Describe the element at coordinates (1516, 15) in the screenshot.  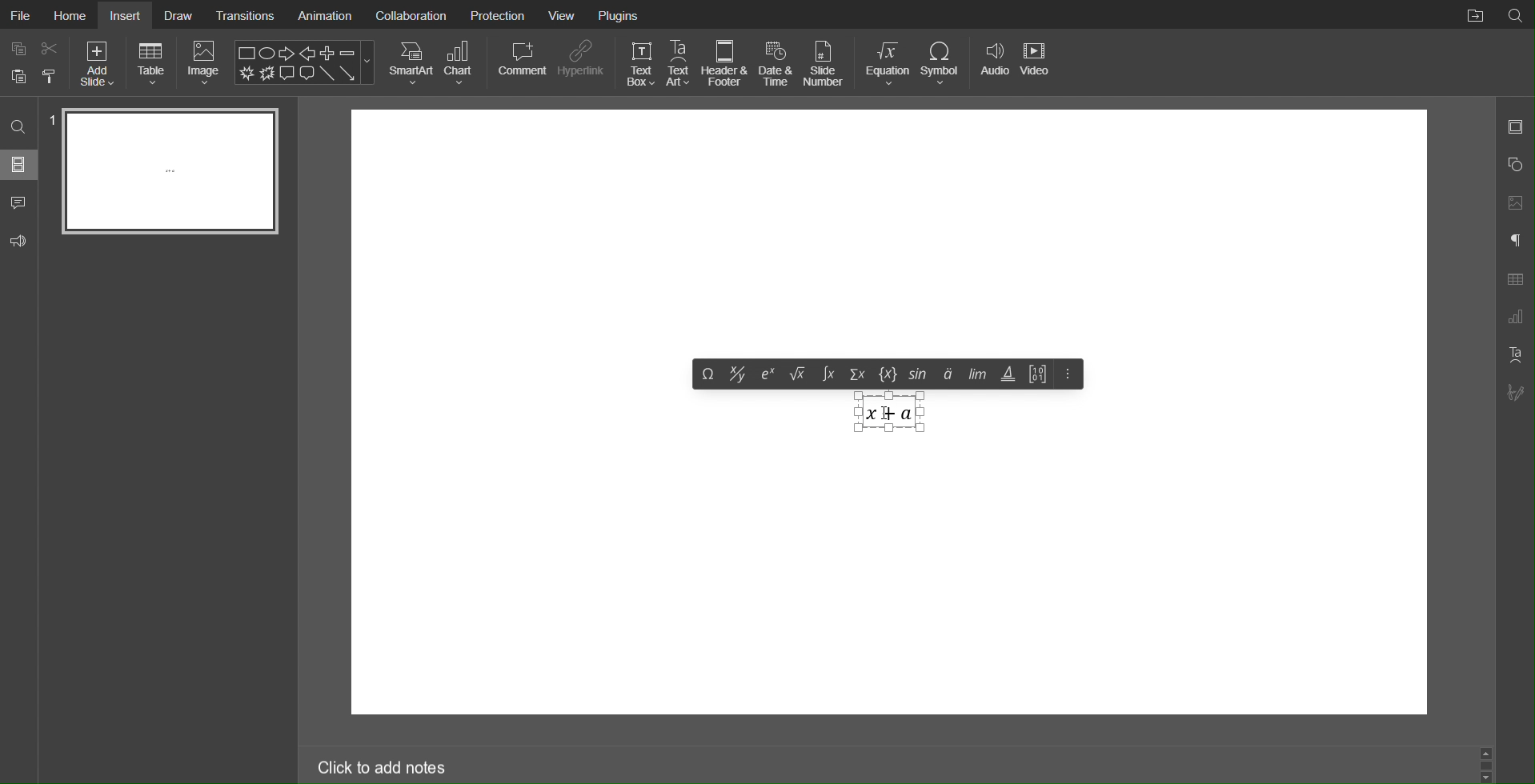
I see `Search` at that location.